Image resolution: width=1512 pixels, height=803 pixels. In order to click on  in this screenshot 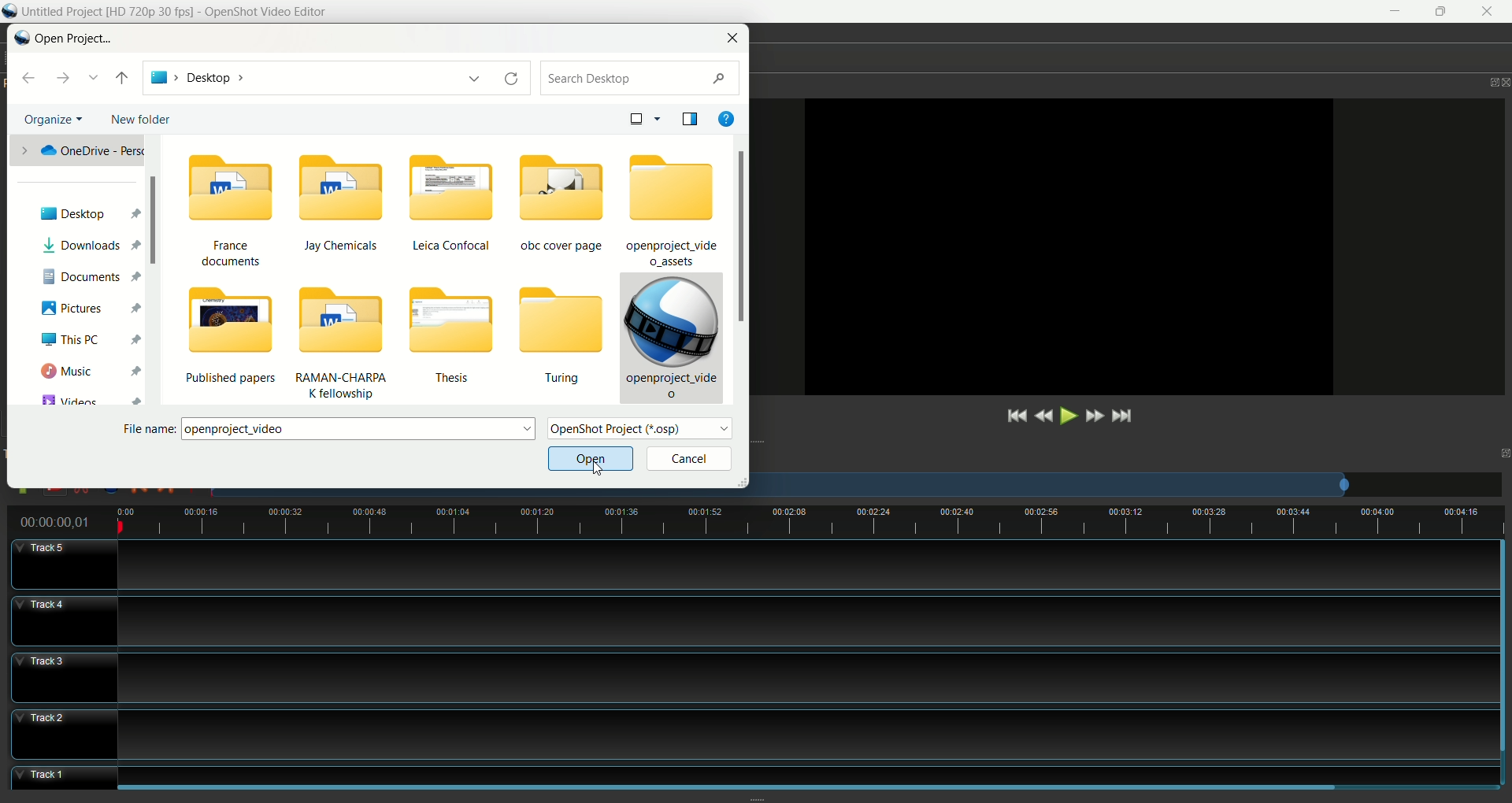, I will do `click(806, 766)`.